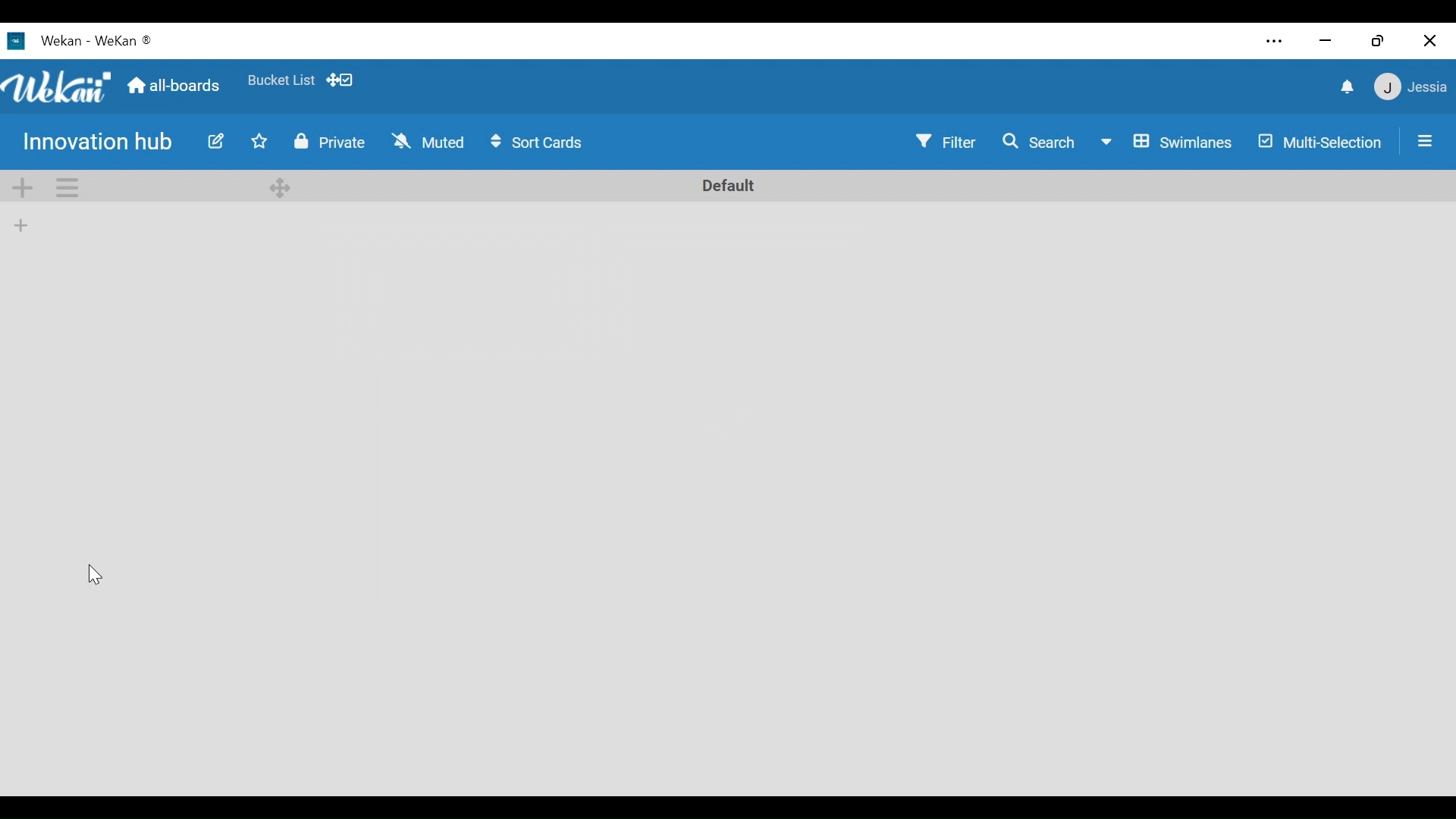 Image resolution: width=1456 pixels, height=819 pixels. What do you see at coordinates (1322, 144) in the screenshot?
I see `Multi-Selection` at bounding box center [1322, 144].